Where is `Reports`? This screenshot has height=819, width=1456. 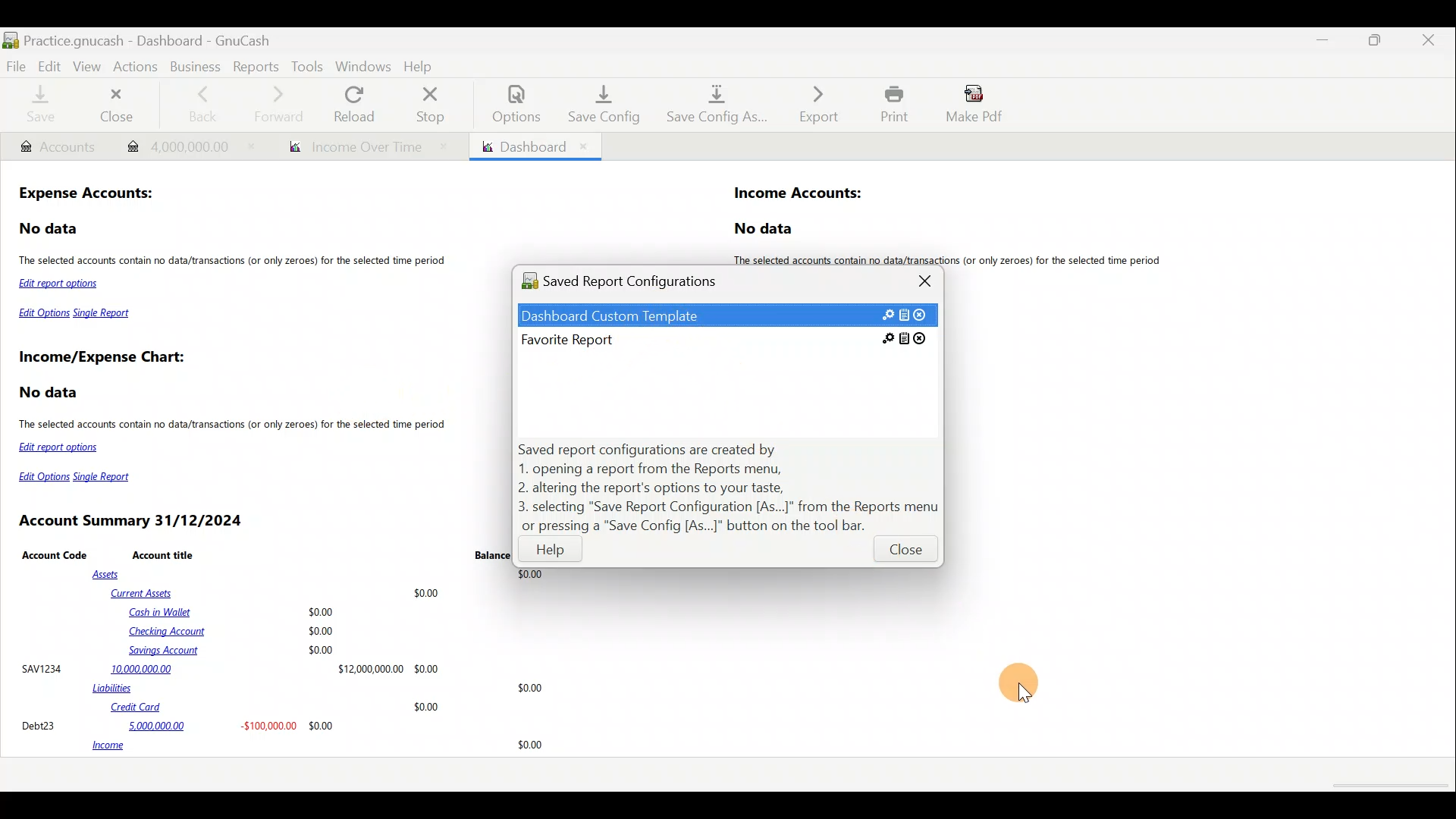
Reports is located at coordinates (254, 65).